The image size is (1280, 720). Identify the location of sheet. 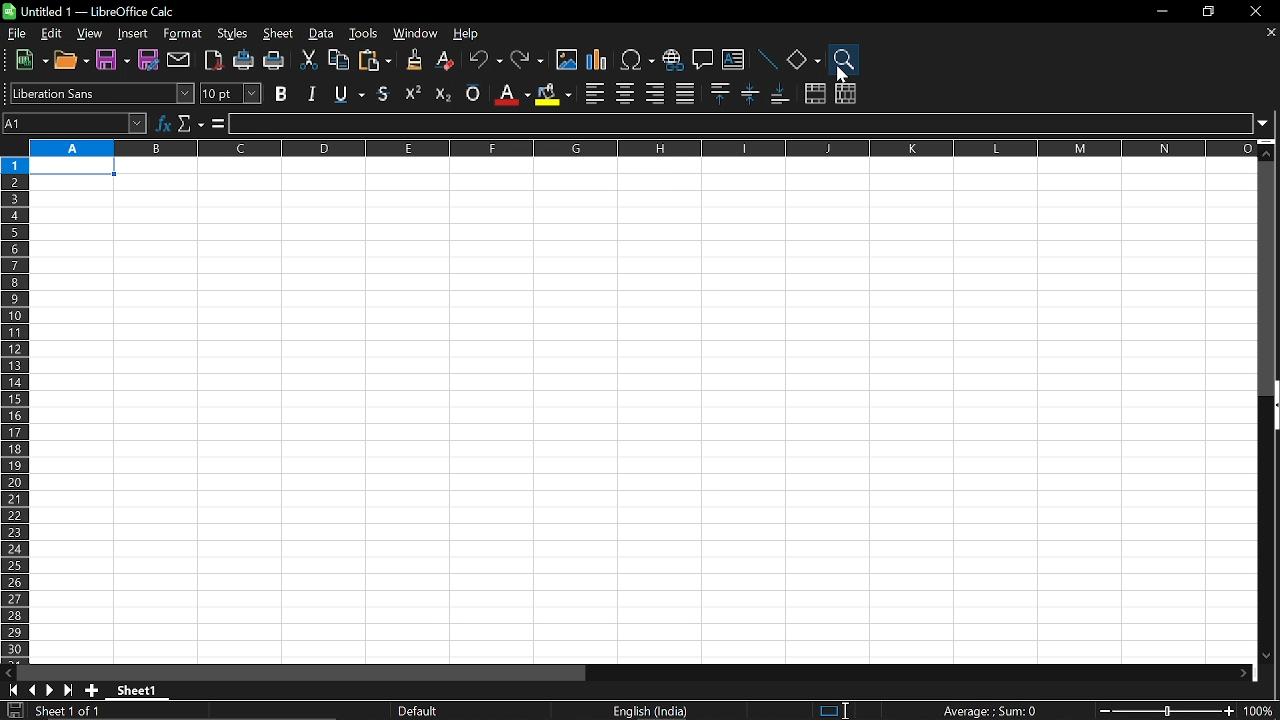
(641, 408).